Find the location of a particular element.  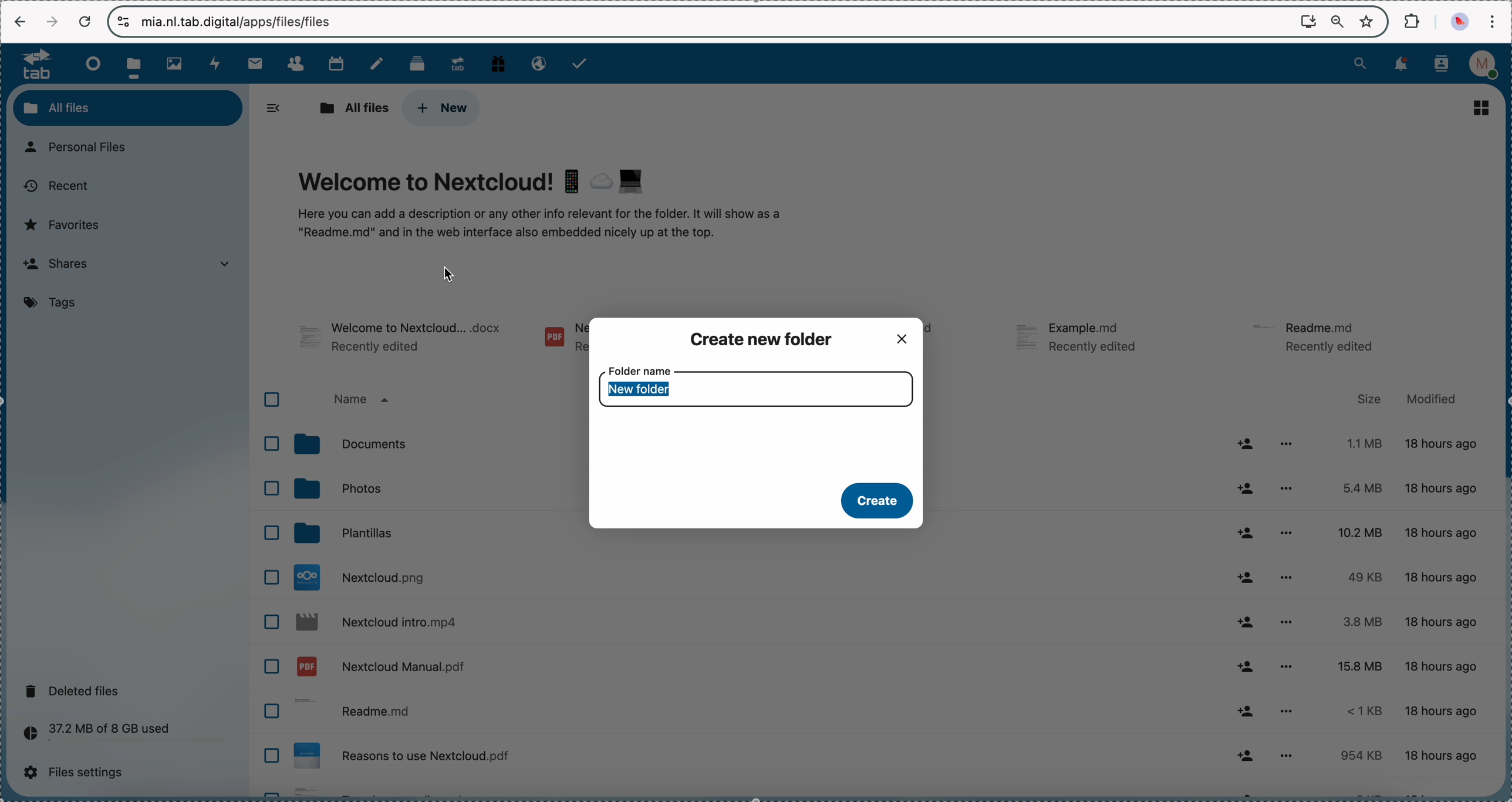

share is located at coordinates (1246, 713).